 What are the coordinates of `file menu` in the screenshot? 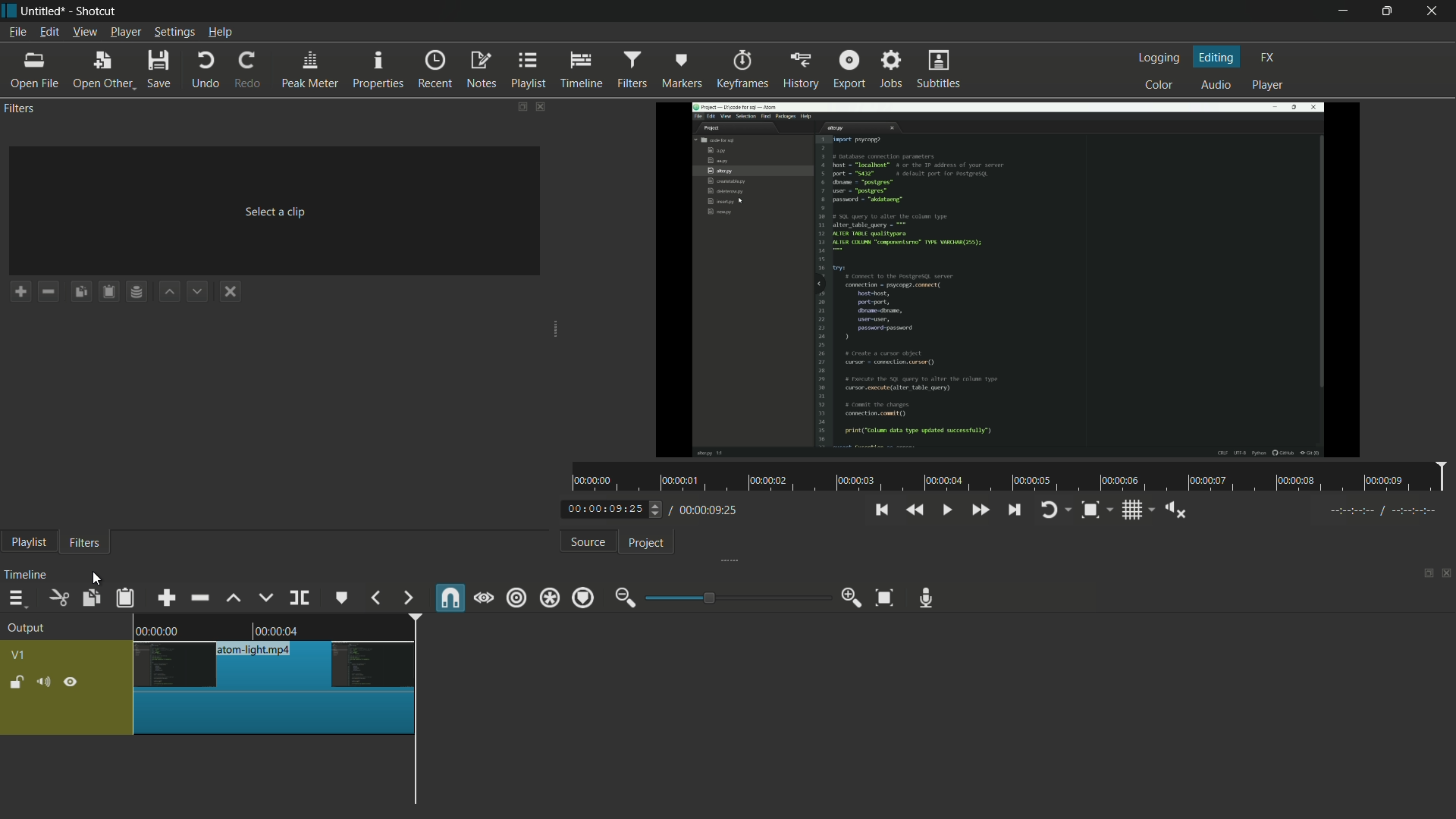 It's located at (17, 33).